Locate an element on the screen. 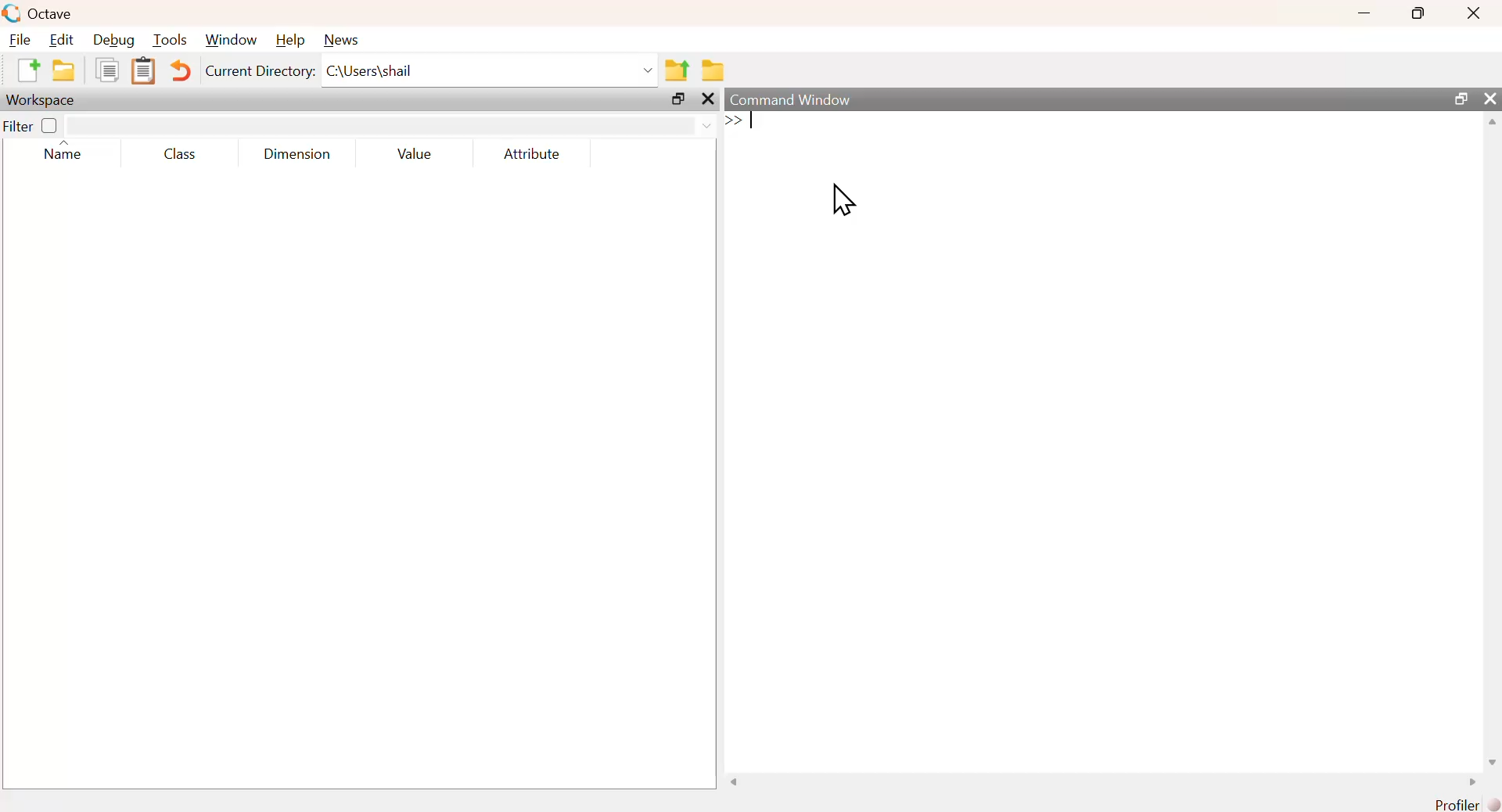 Image resolution: width=1502 pixels, height=812 pixels. class is located at coordinates (178, 156).